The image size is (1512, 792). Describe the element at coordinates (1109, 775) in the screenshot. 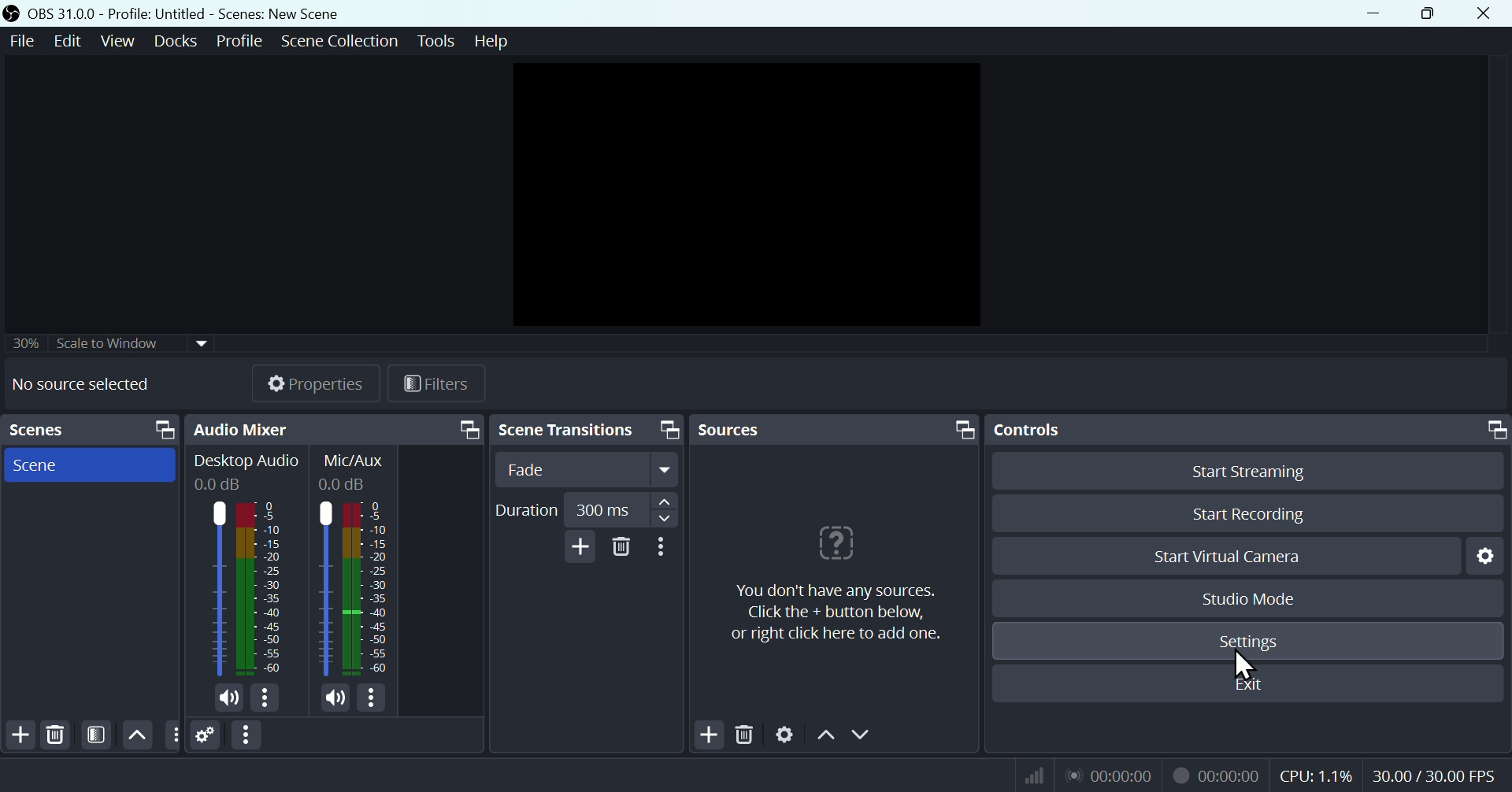

I see `` at that location.